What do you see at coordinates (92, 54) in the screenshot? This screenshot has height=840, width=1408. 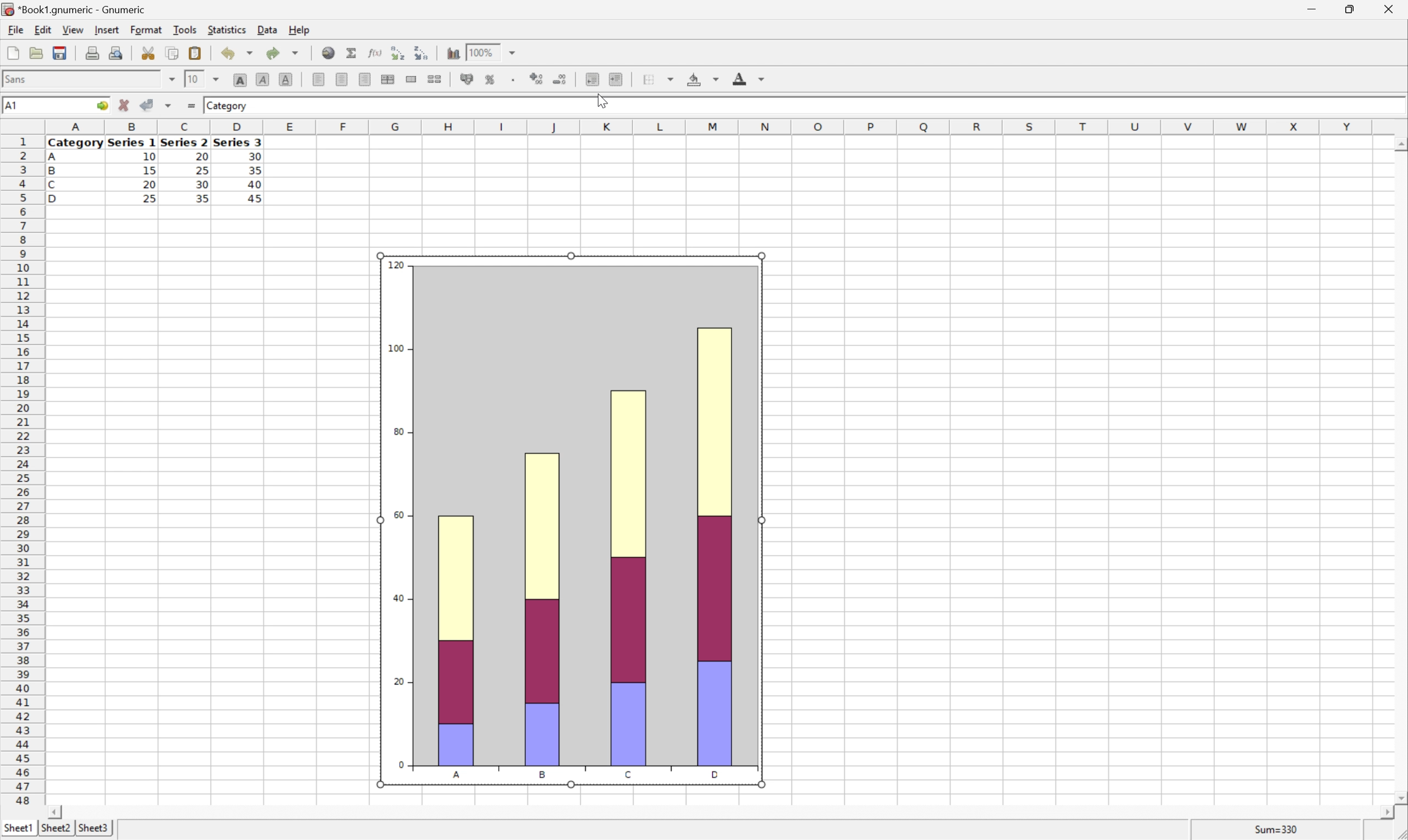 I see `Print current file` at bounding box center [92, 54].